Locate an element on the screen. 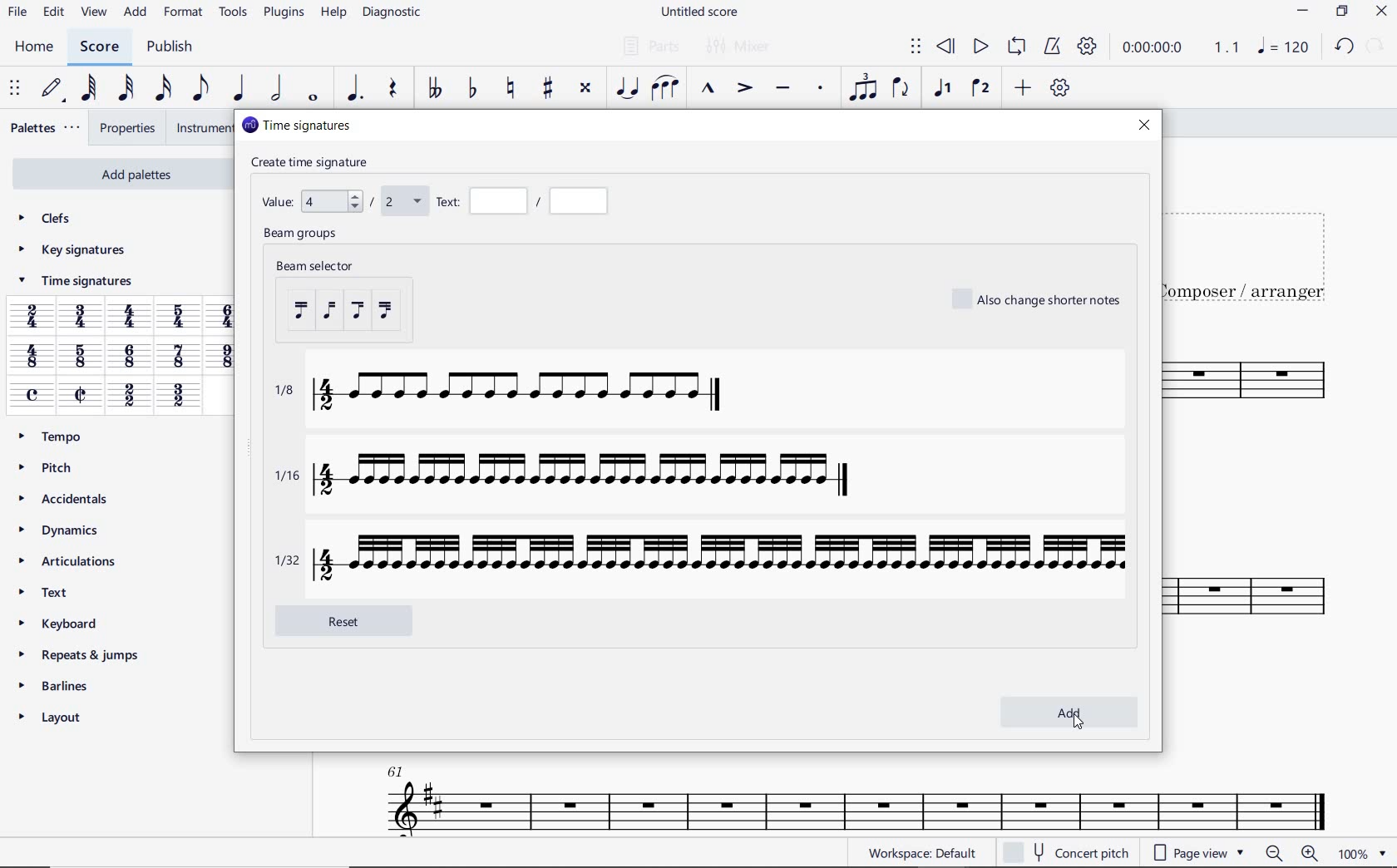  EDIT is located at coordinates (54, 12).